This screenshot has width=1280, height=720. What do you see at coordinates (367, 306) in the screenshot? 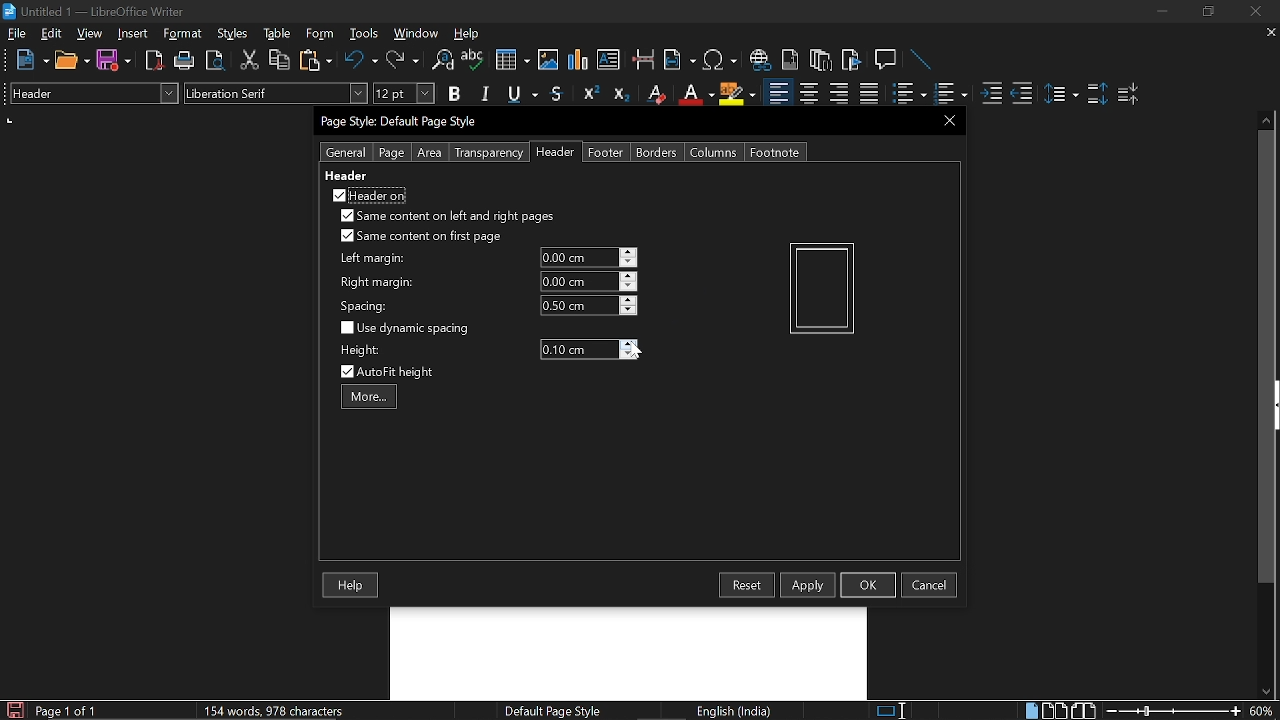
I see `spacing` at bounding box center [367, 306].